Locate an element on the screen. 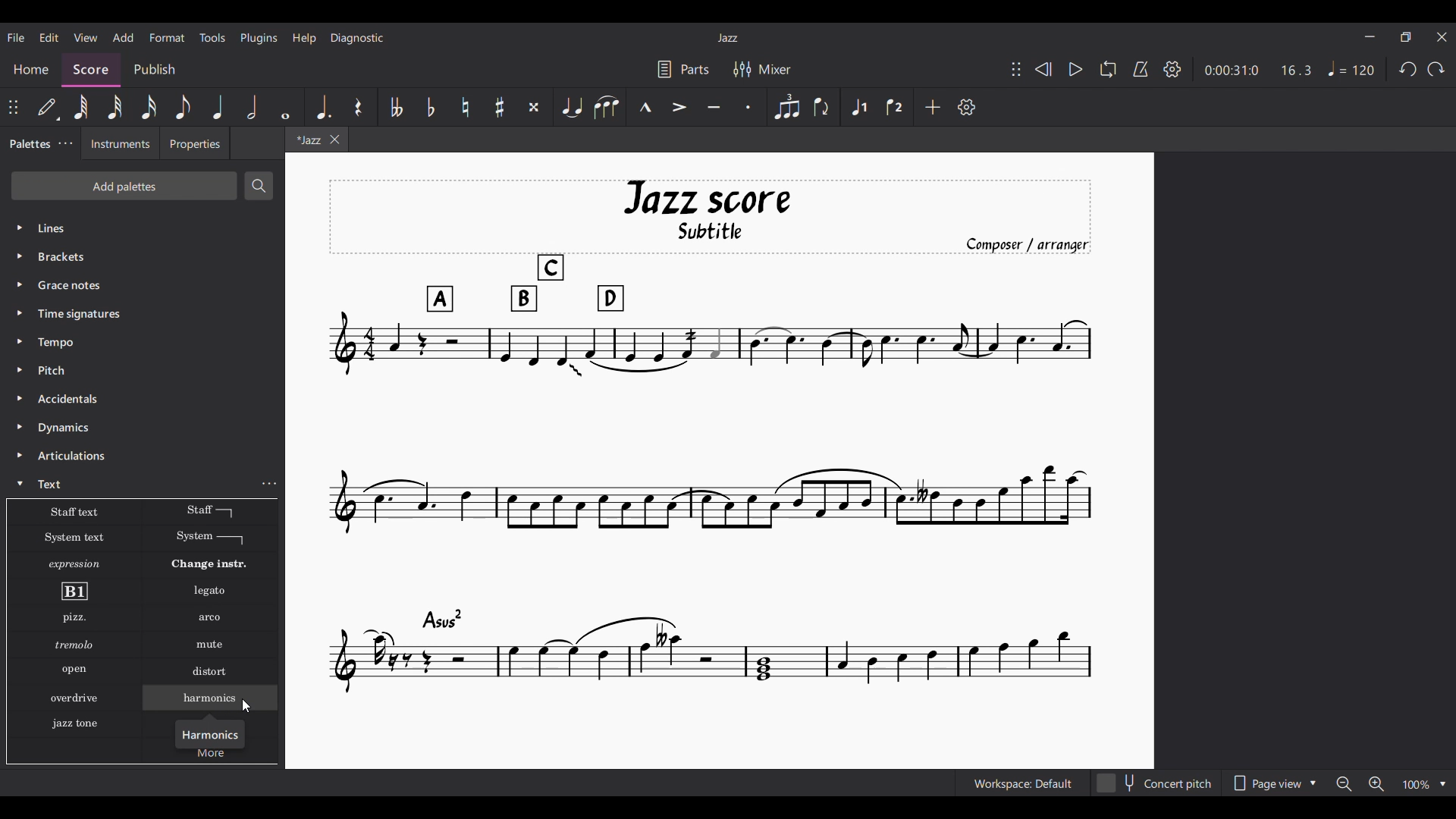 The image size is (1456, 819). Current duration and ratio is located at coordinates (1258, 70).